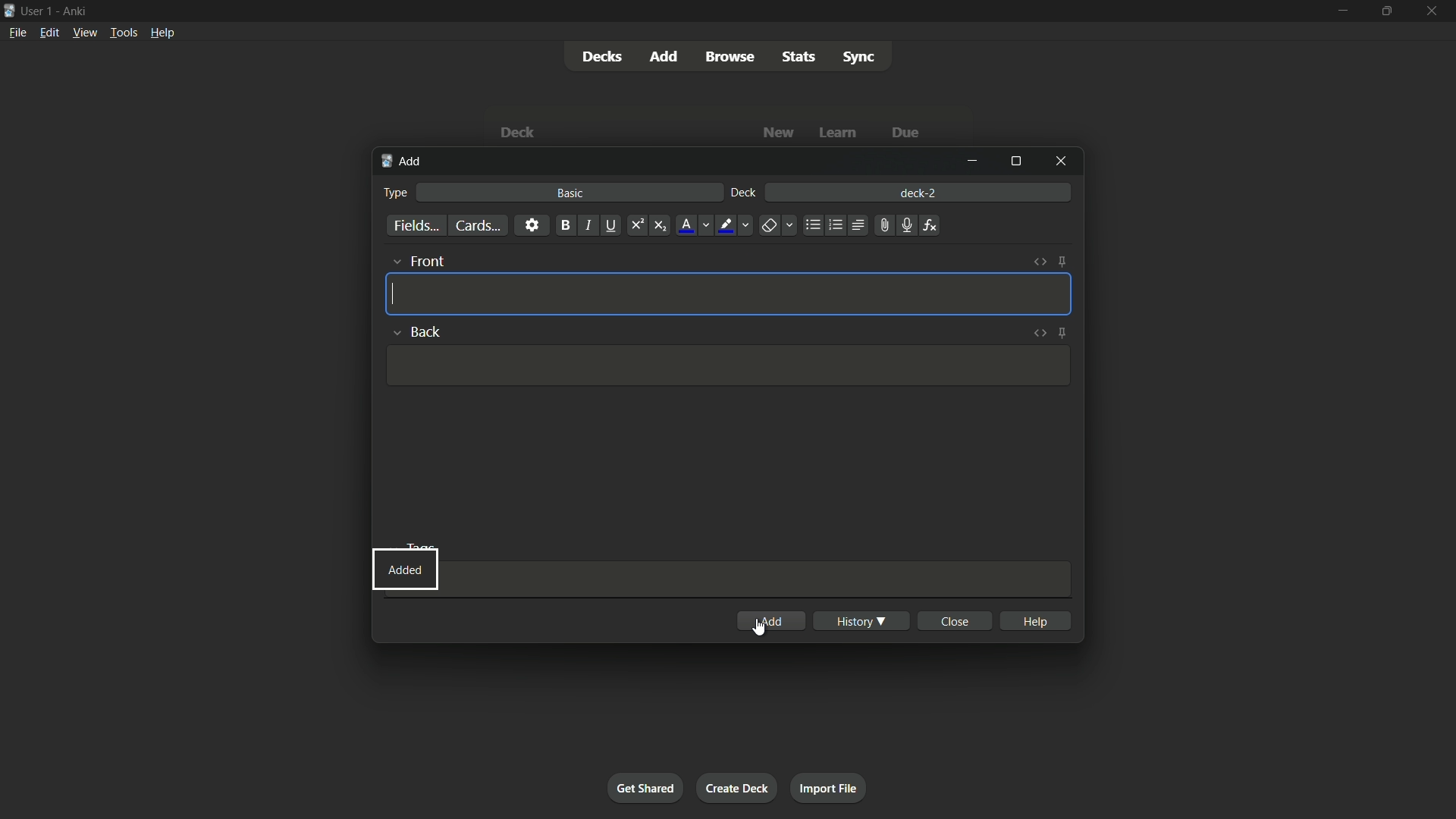 This screenshot has width=1456, height=819. I want to click on help menu, so click(163, 32).